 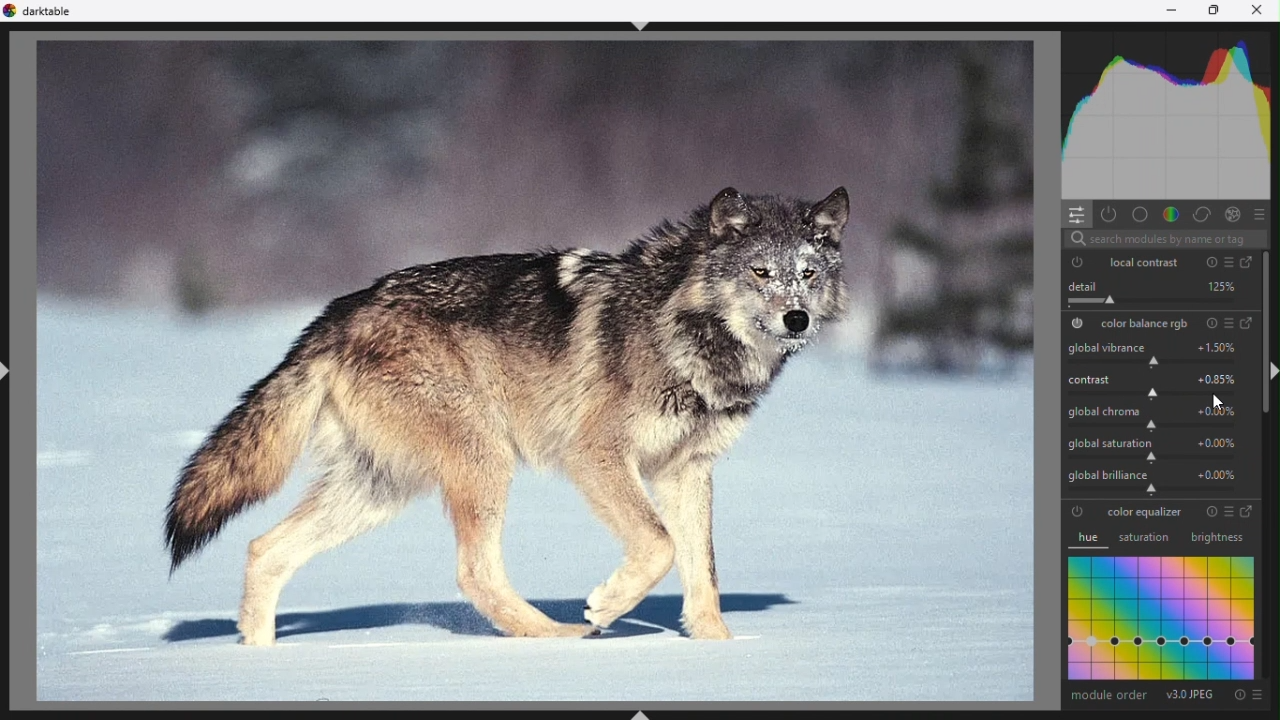 I want to click on shift+cltr+r, so click(x=1272, y=370).